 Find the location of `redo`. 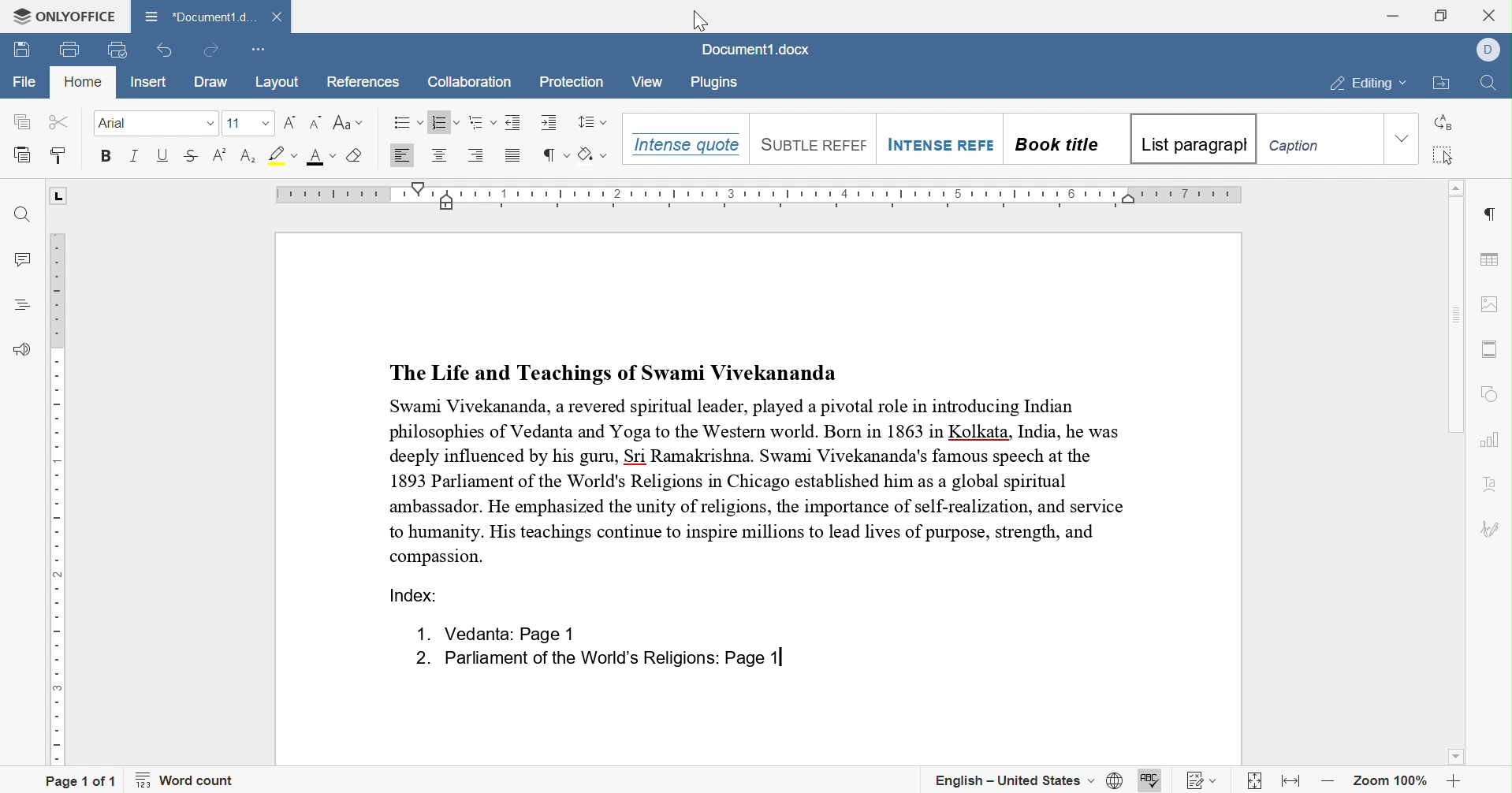

redo is located at coordinates (209, 50).